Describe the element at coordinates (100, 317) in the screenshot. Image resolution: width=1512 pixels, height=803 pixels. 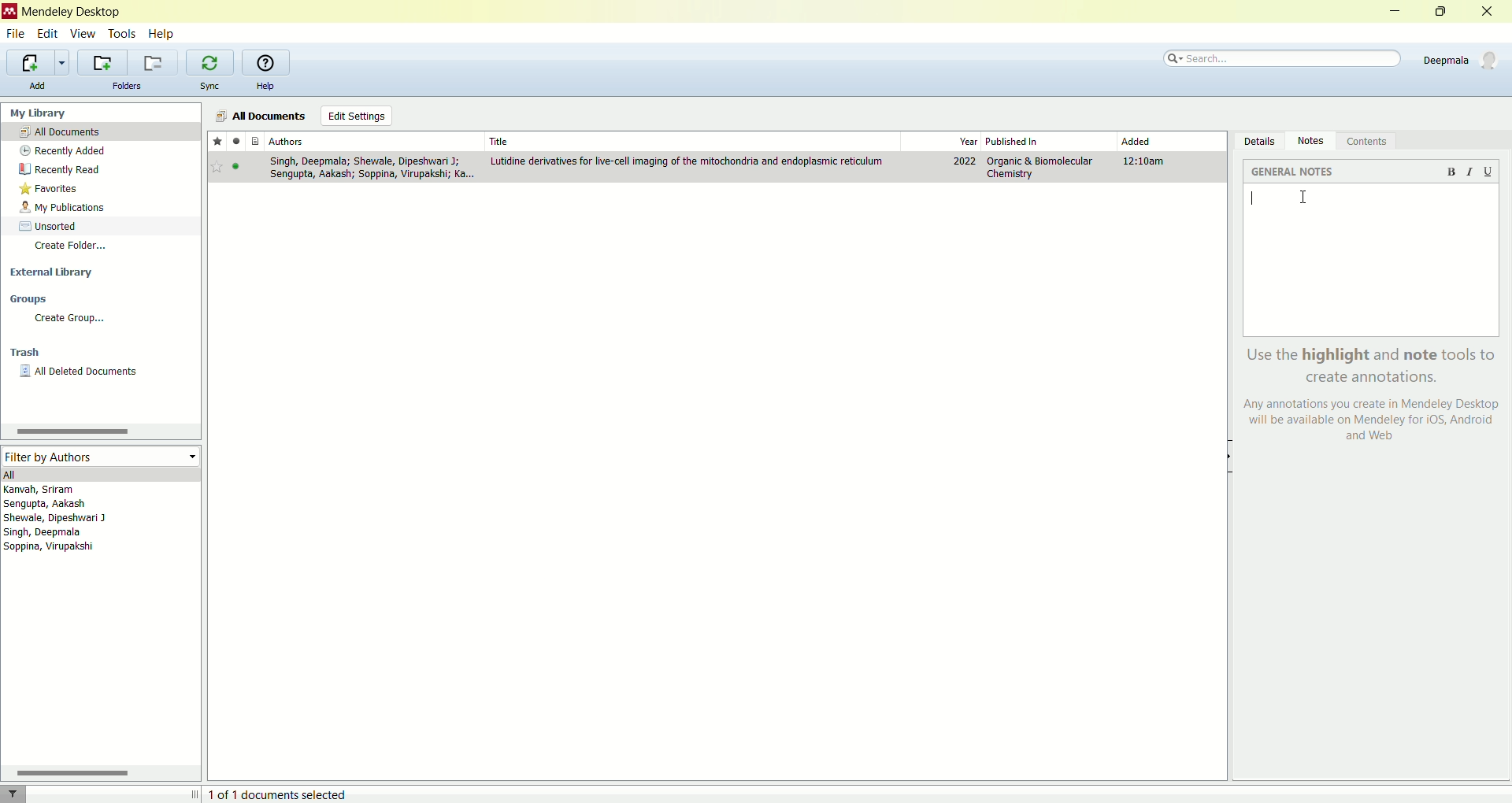
I see `create group` at that location.